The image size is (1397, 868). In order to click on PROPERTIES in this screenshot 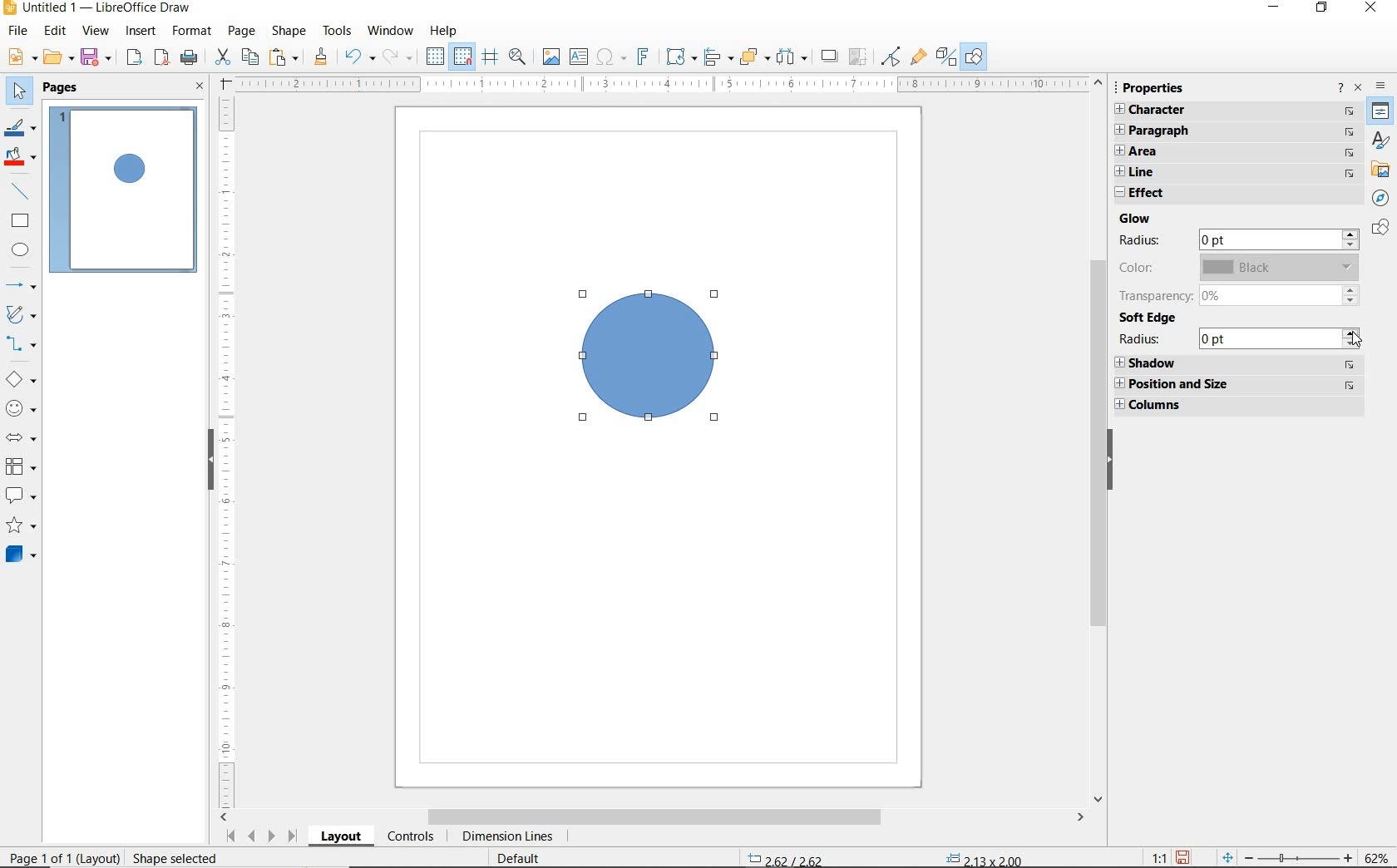, I will do `click(1153, 87)`.